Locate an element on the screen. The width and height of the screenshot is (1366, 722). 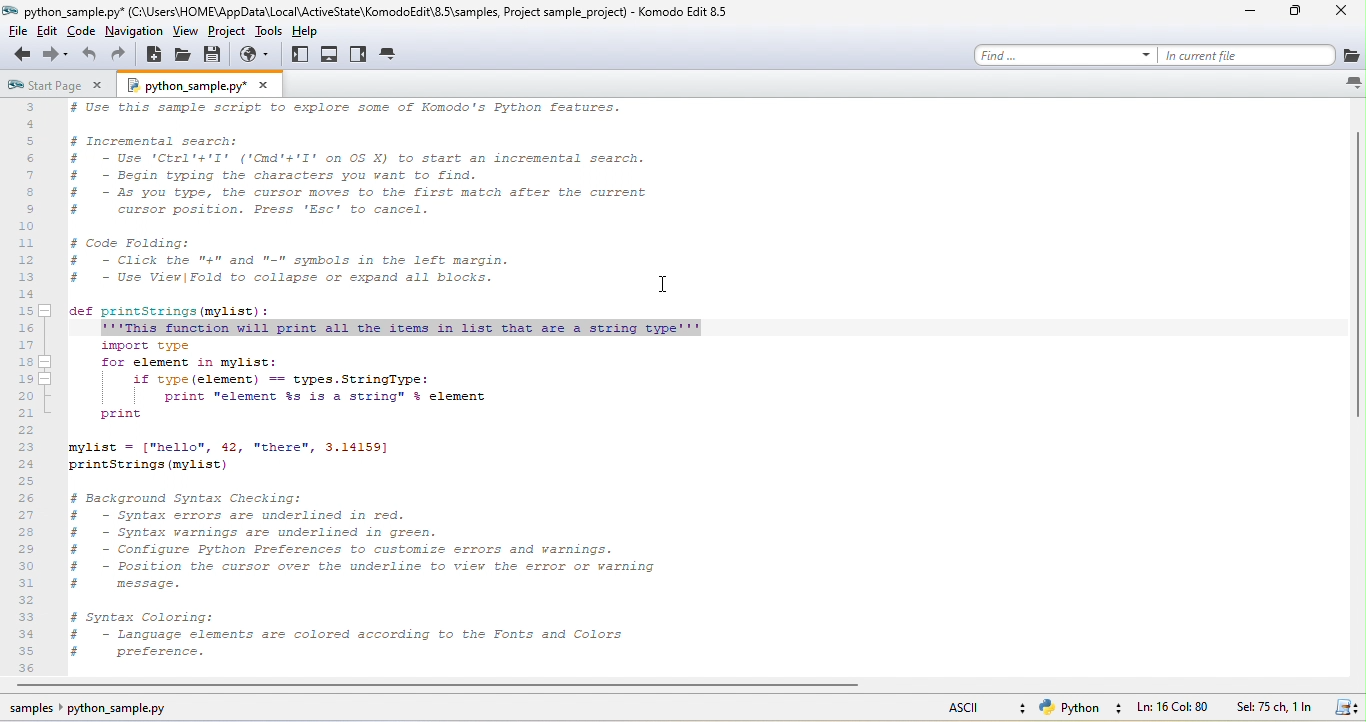
save is located at coordinates (217, 55).